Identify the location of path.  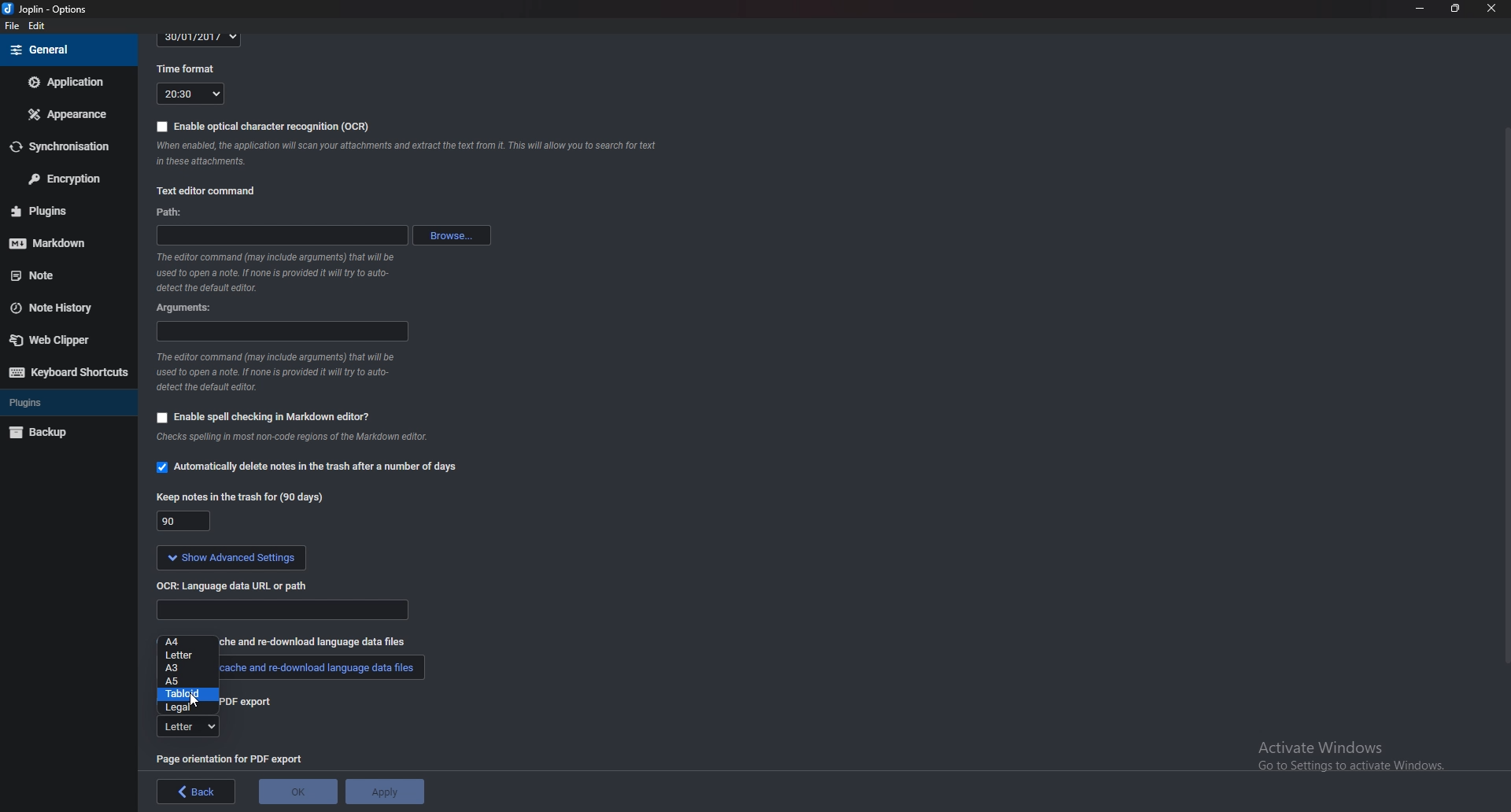
(185, 214).